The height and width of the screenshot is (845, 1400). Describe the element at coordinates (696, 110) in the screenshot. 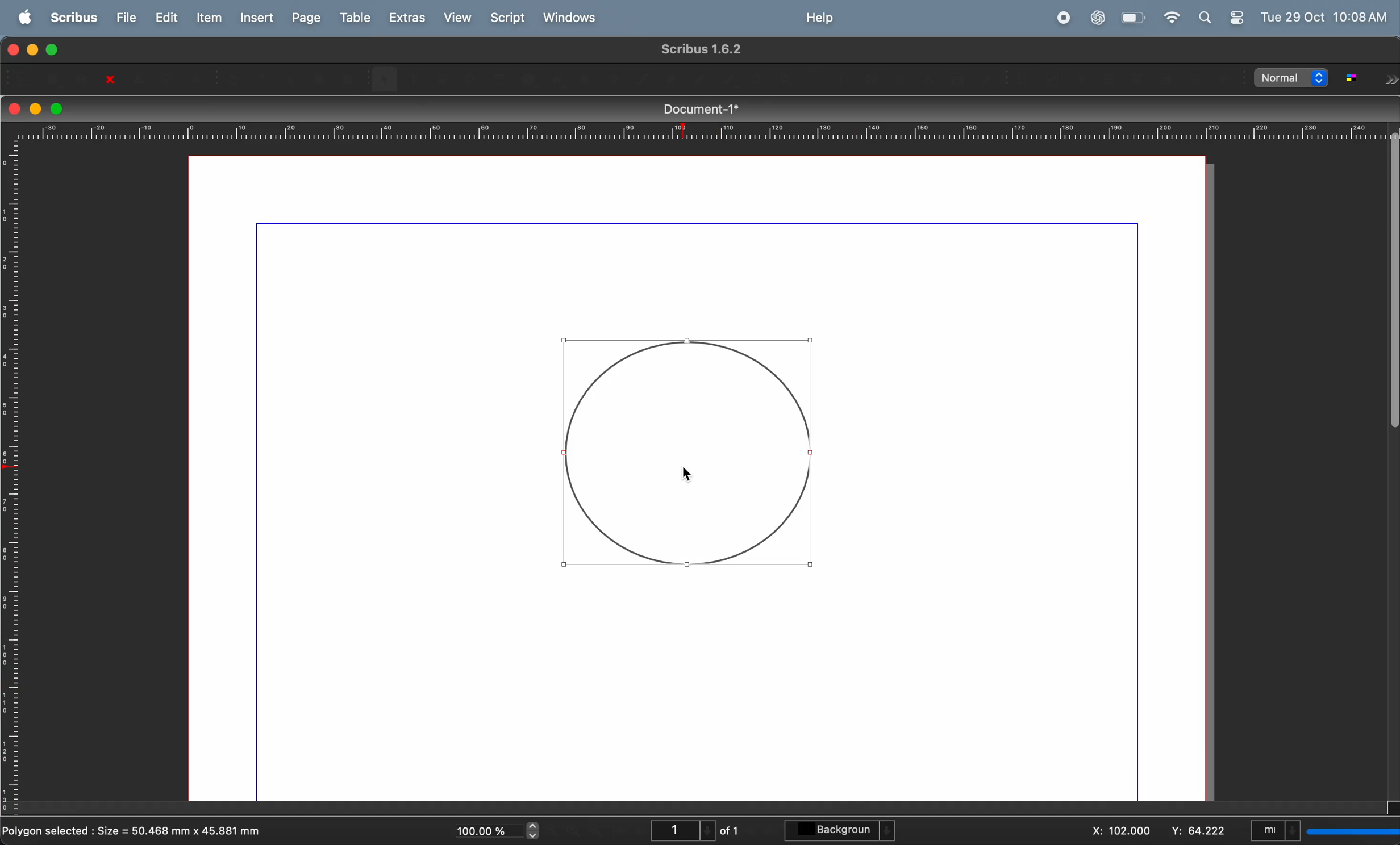

I see `document title` at that location.